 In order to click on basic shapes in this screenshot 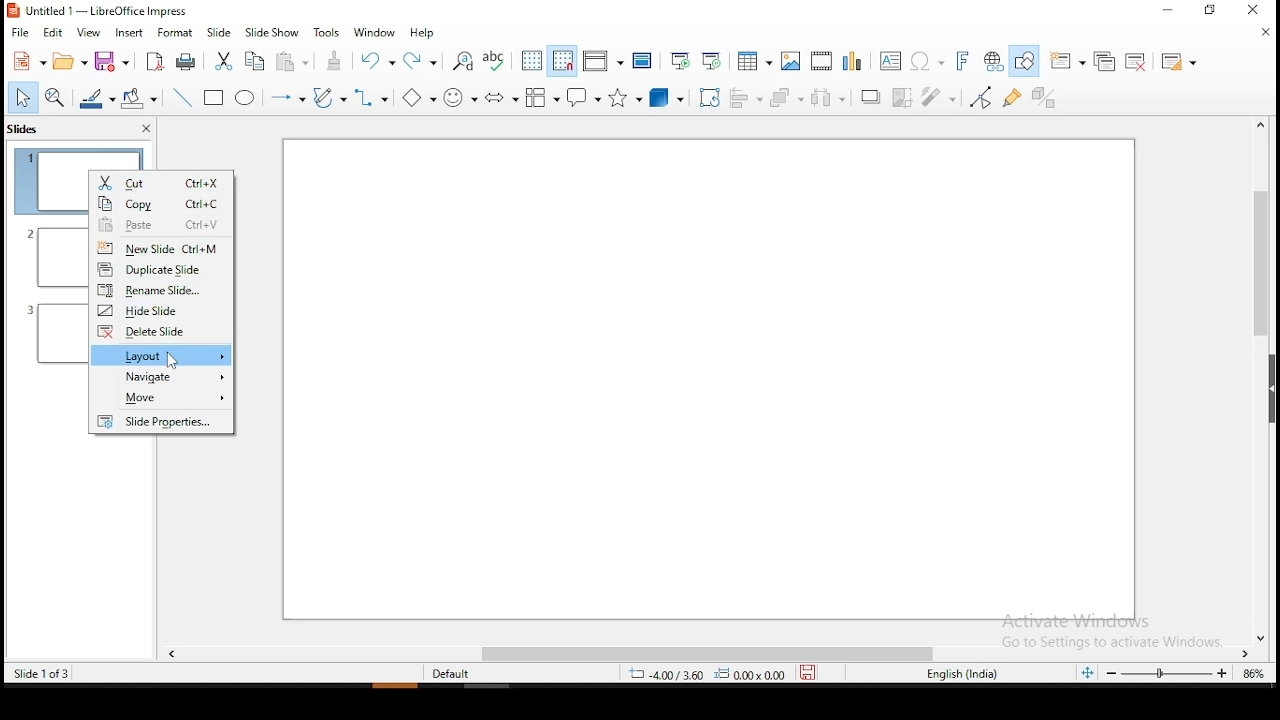, I will do `click(418, 98)`.